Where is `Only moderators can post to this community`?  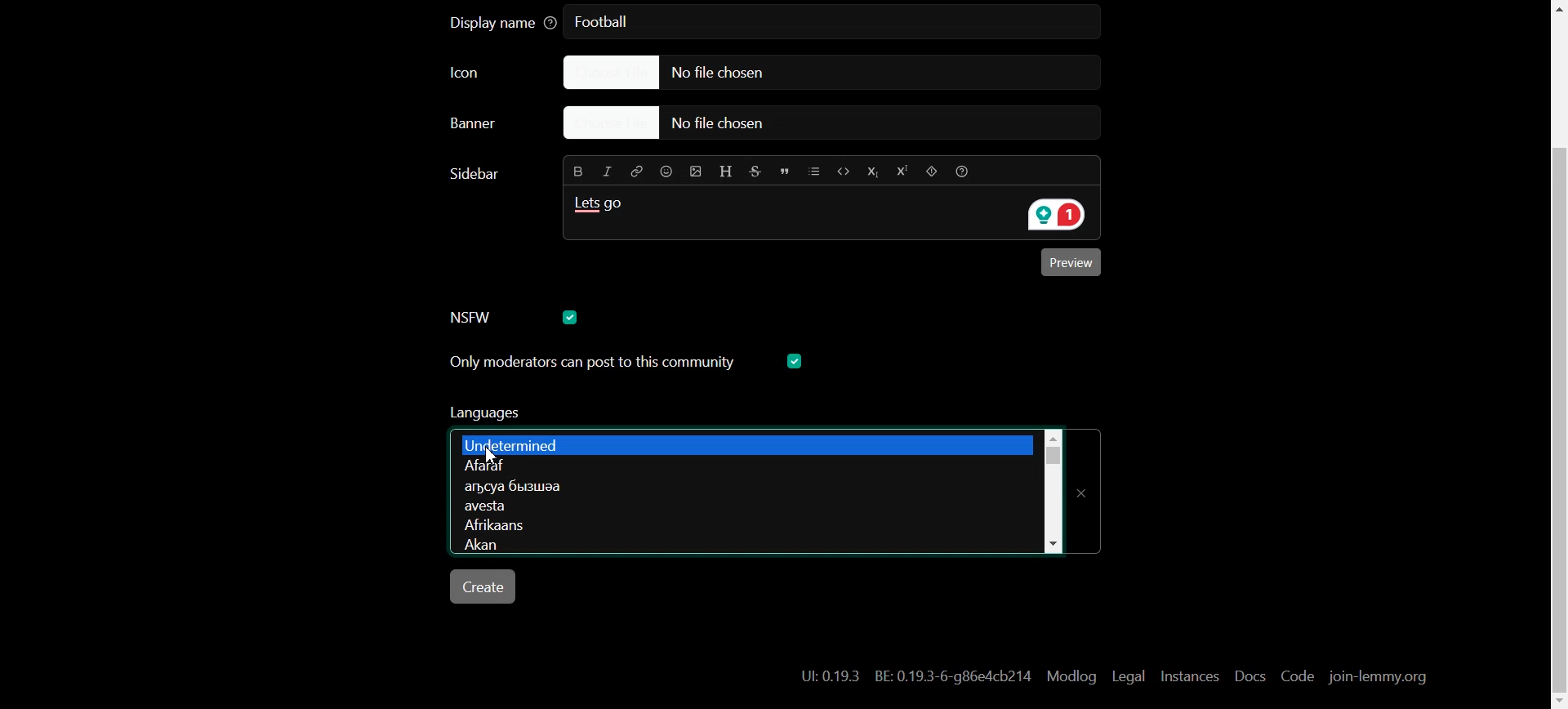 Only moderators can post to this community is located at coordinates (628, 418).